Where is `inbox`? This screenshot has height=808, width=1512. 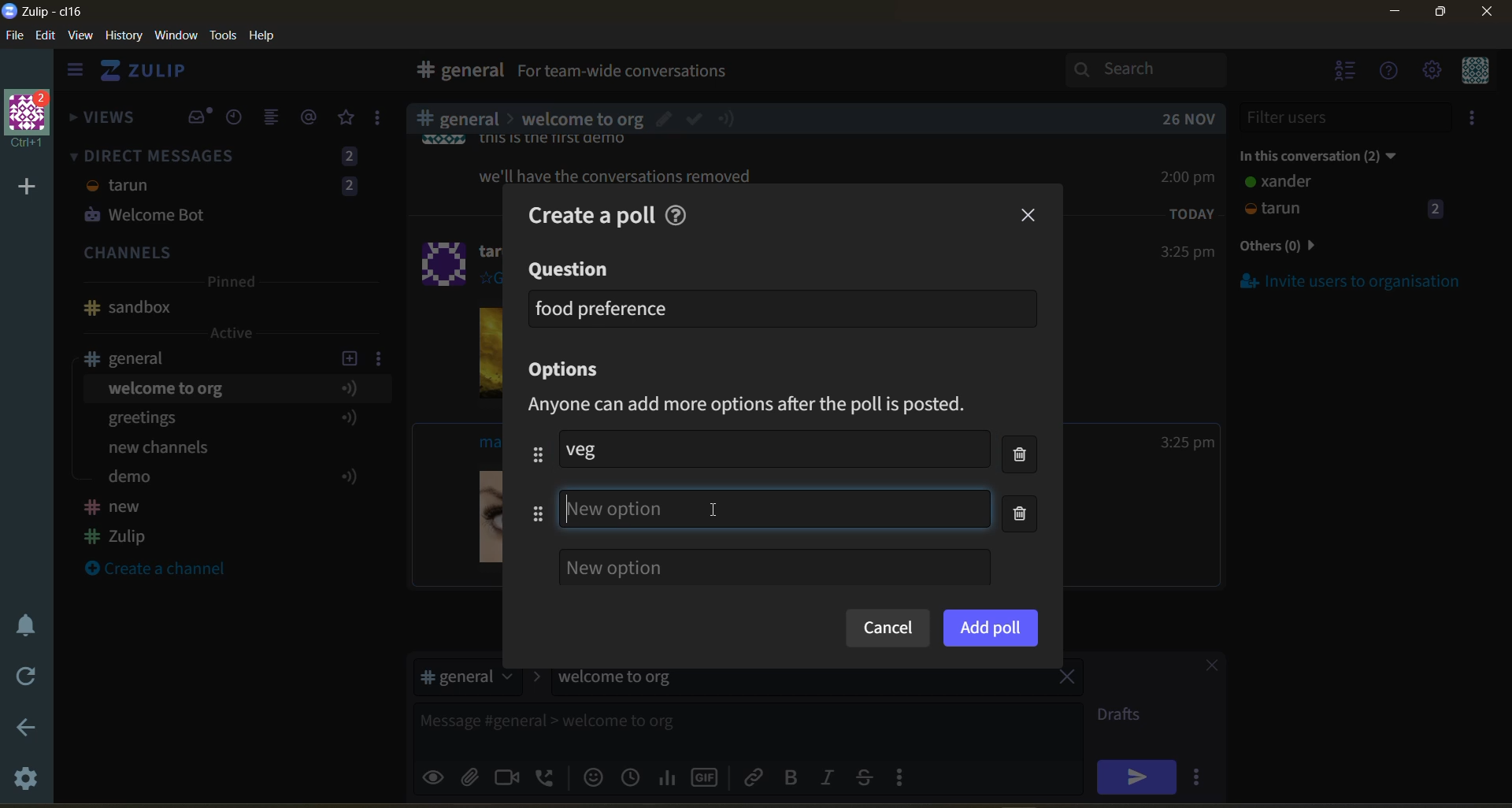
inbox is located at coordinates (199, 117).